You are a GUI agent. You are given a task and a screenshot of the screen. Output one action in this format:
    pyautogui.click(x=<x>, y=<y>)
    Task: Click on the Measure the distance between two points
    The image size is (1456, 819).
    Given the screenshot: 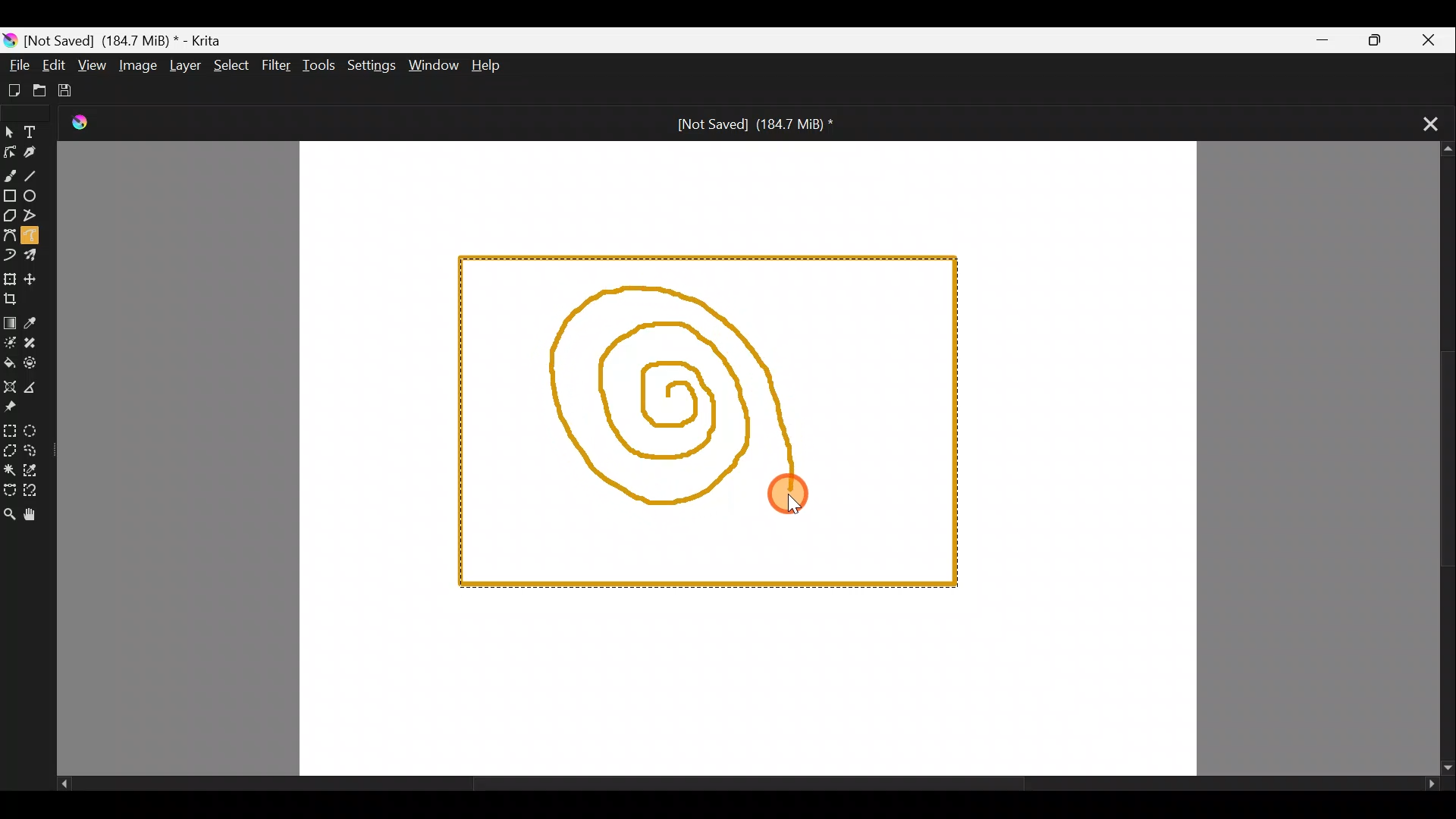 What is the action you would take?
    pyautogui.click(x=32, y=388)
    